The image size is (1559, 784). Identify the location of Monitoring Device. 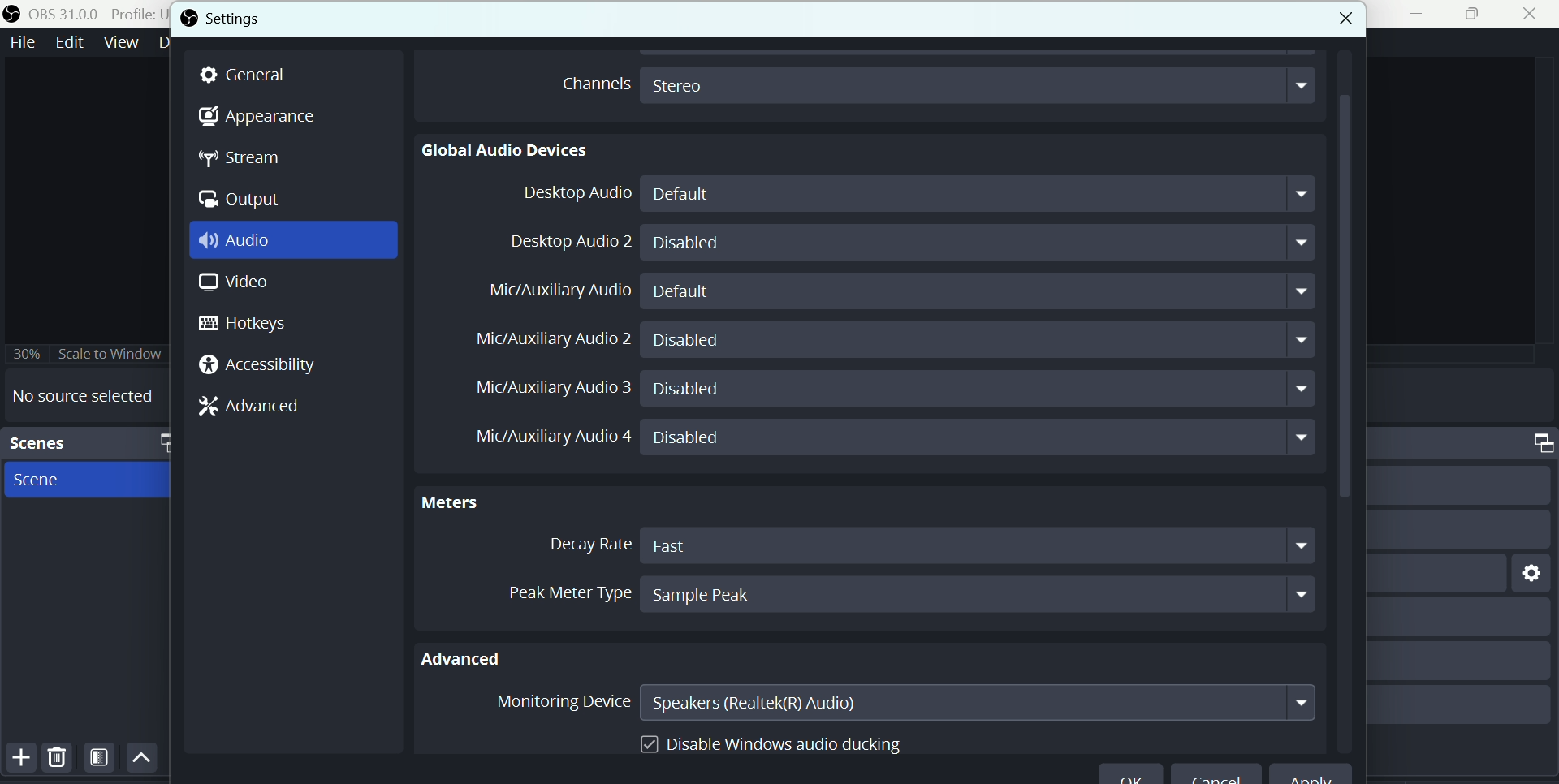
(559, 704).